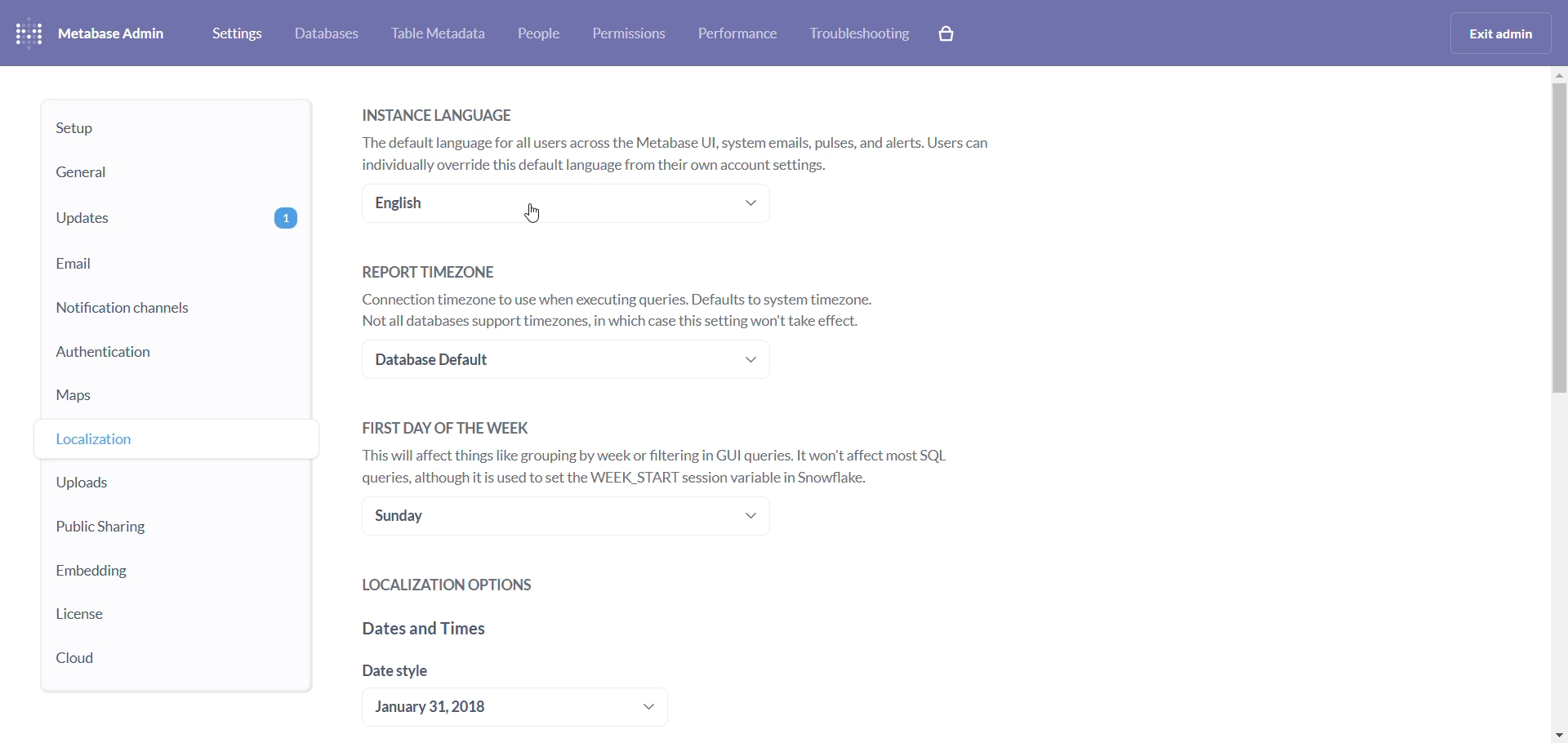 The height and width of the screenshot is (743, 1568). I want to click on embedding, so click(166, 572).